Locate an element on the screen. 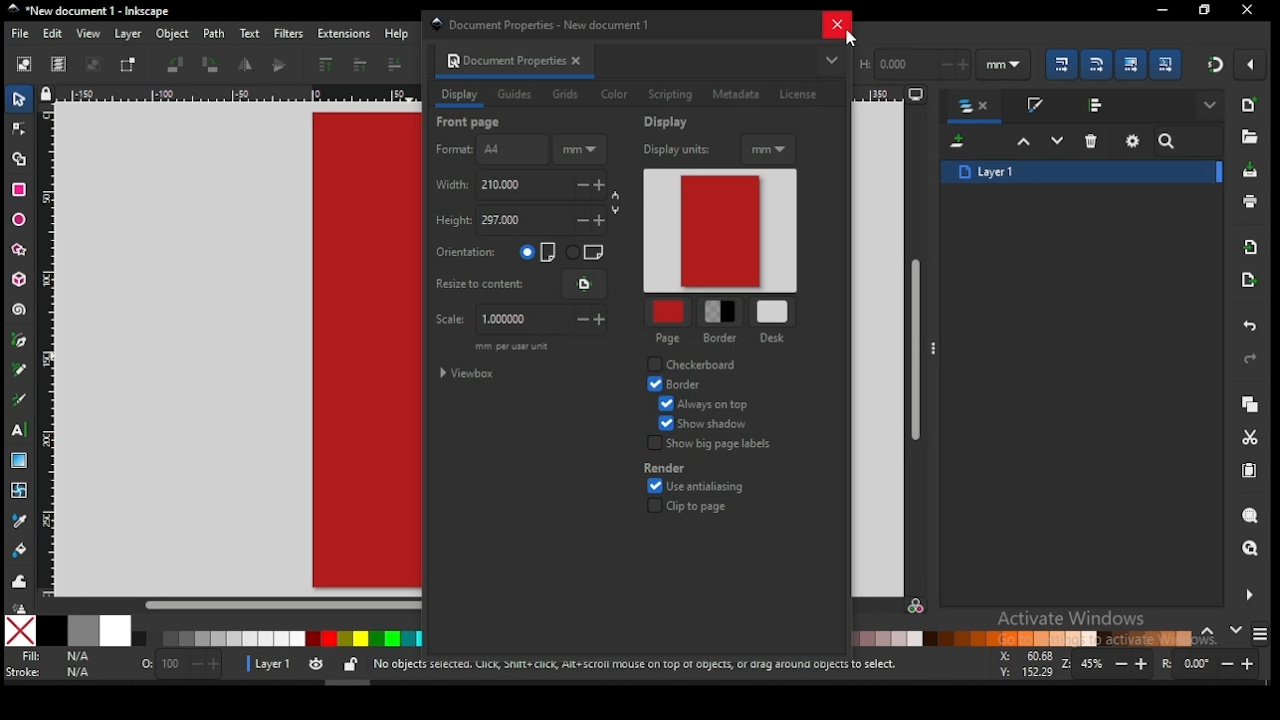 The height and width of the screenshot is (720, 1280). units is located at coordinates (579, 150).